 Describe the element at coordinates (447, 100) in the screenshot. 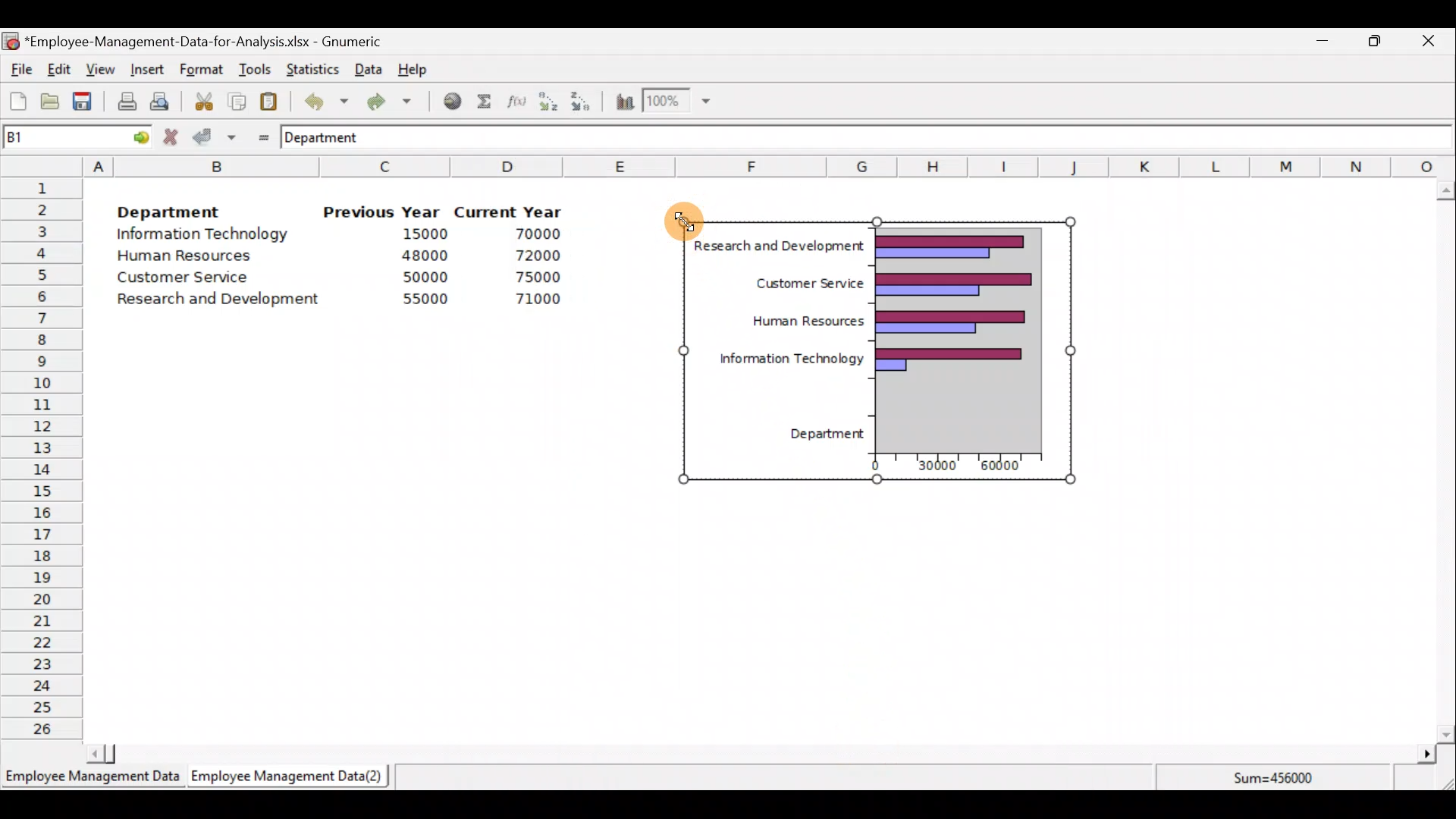

I see `Insert hyperlink` at that location.